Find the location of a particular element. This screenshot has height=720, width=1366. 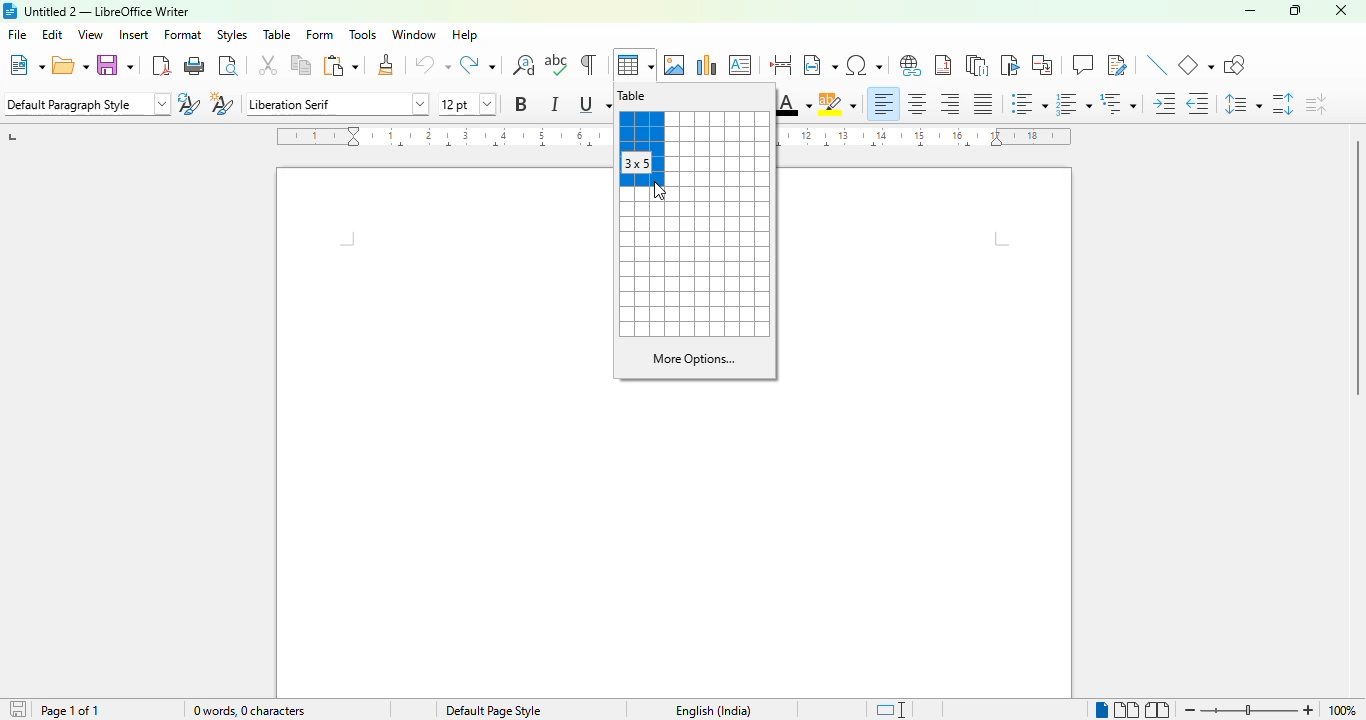

logo is located at coordinates (10, 11).